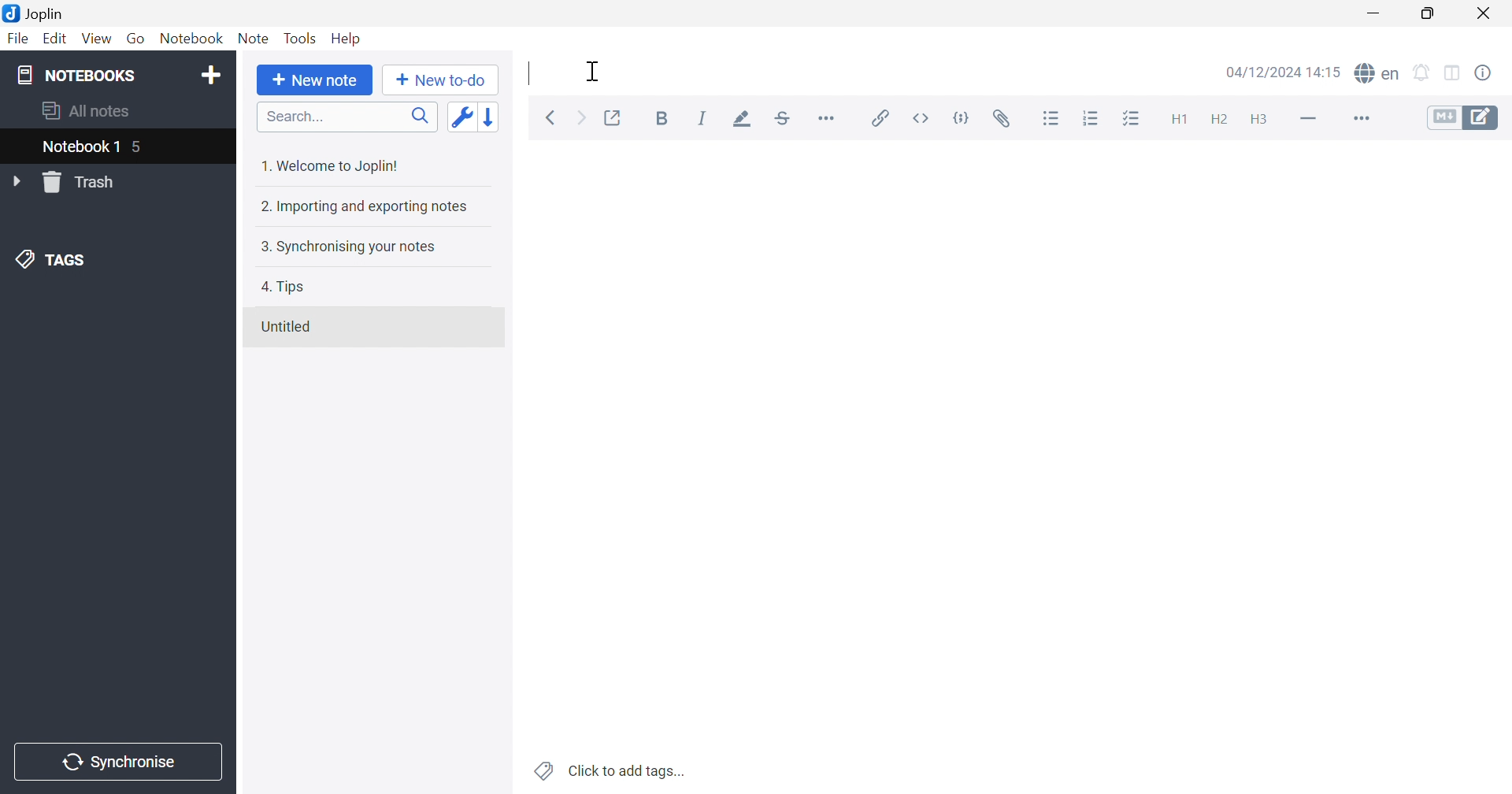 The image size is (1512, 794). Describe the element at coordinates (1376, 72) in the screenshot. I see `Spell checker` at that location.